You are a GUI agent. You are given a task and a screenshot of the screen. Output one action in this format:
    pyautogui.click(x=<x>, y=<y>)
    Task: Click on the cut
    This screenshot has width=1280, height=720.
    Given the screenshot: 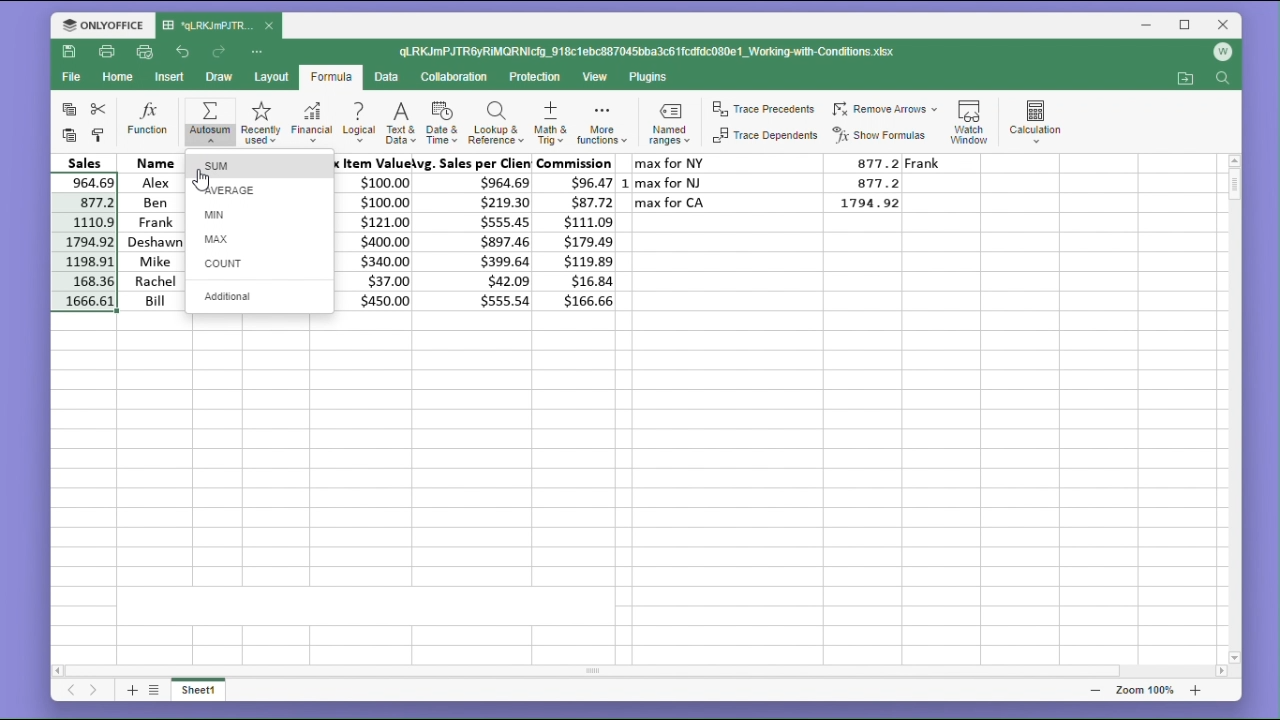 What is the action you would take?
    pyautogui.click(x=102, y=109)
    